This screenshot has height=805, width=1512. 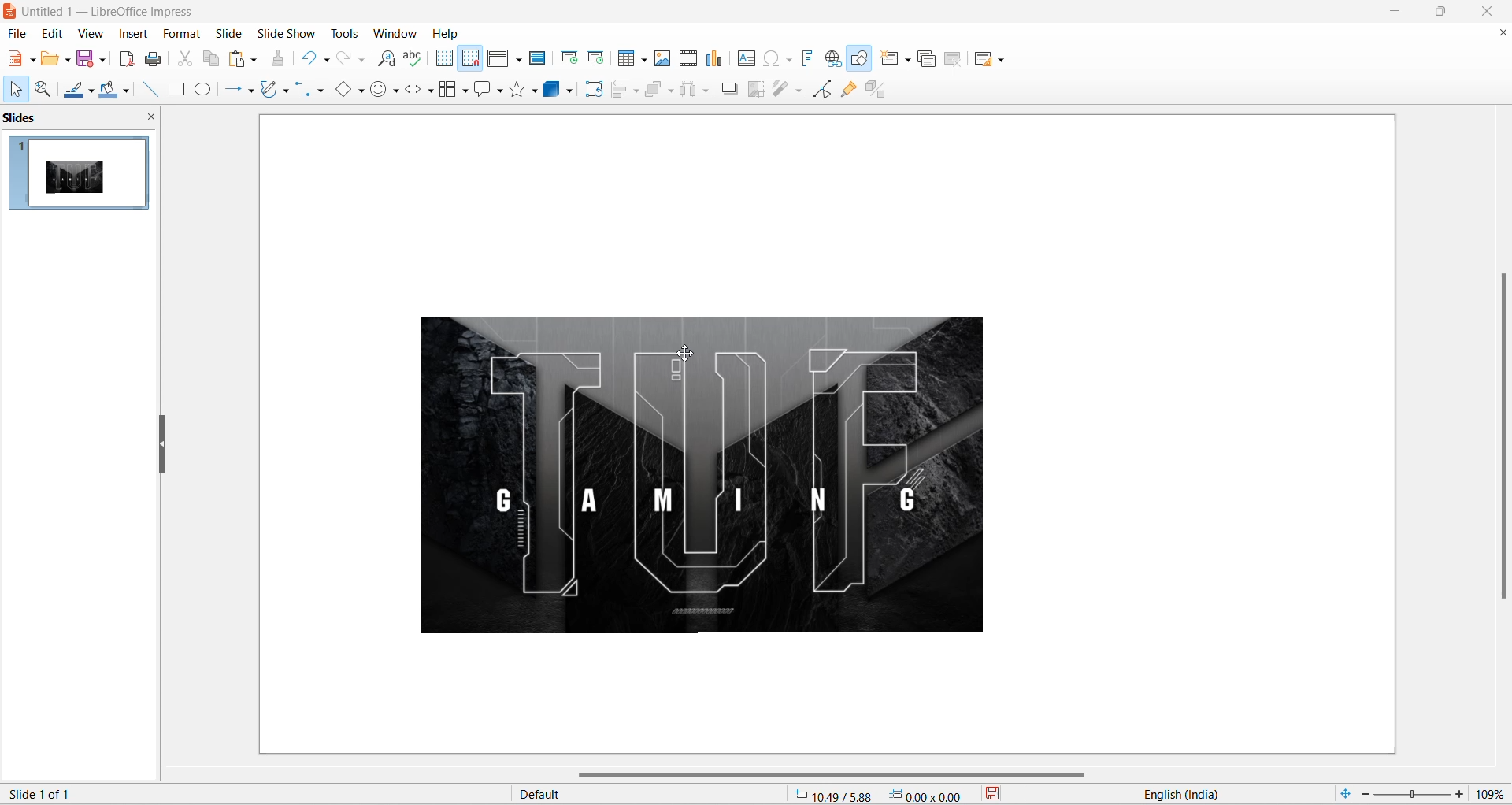 I want to click on start at current slide, so click(x=598, y=57).